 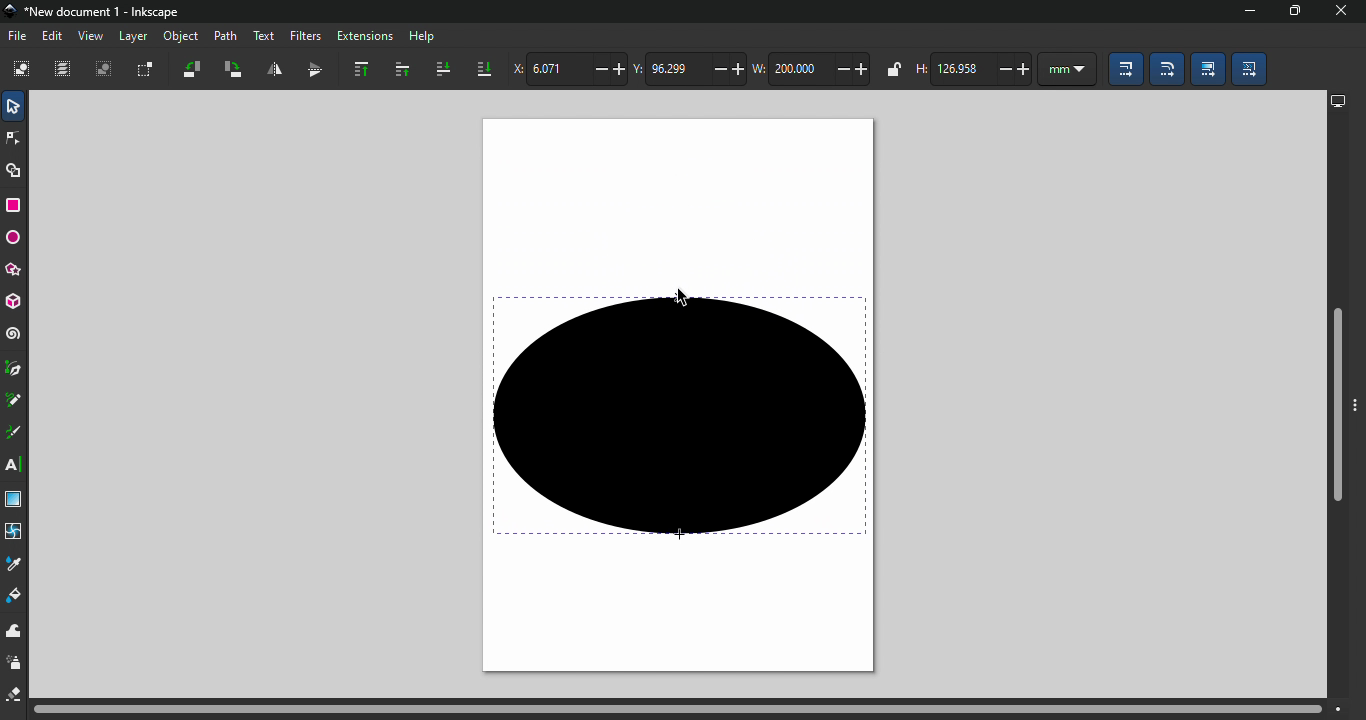 What do you see at coordinates (15, 567) in the screenshot?
I see `dropper tool` at bounding box center [15, 567].